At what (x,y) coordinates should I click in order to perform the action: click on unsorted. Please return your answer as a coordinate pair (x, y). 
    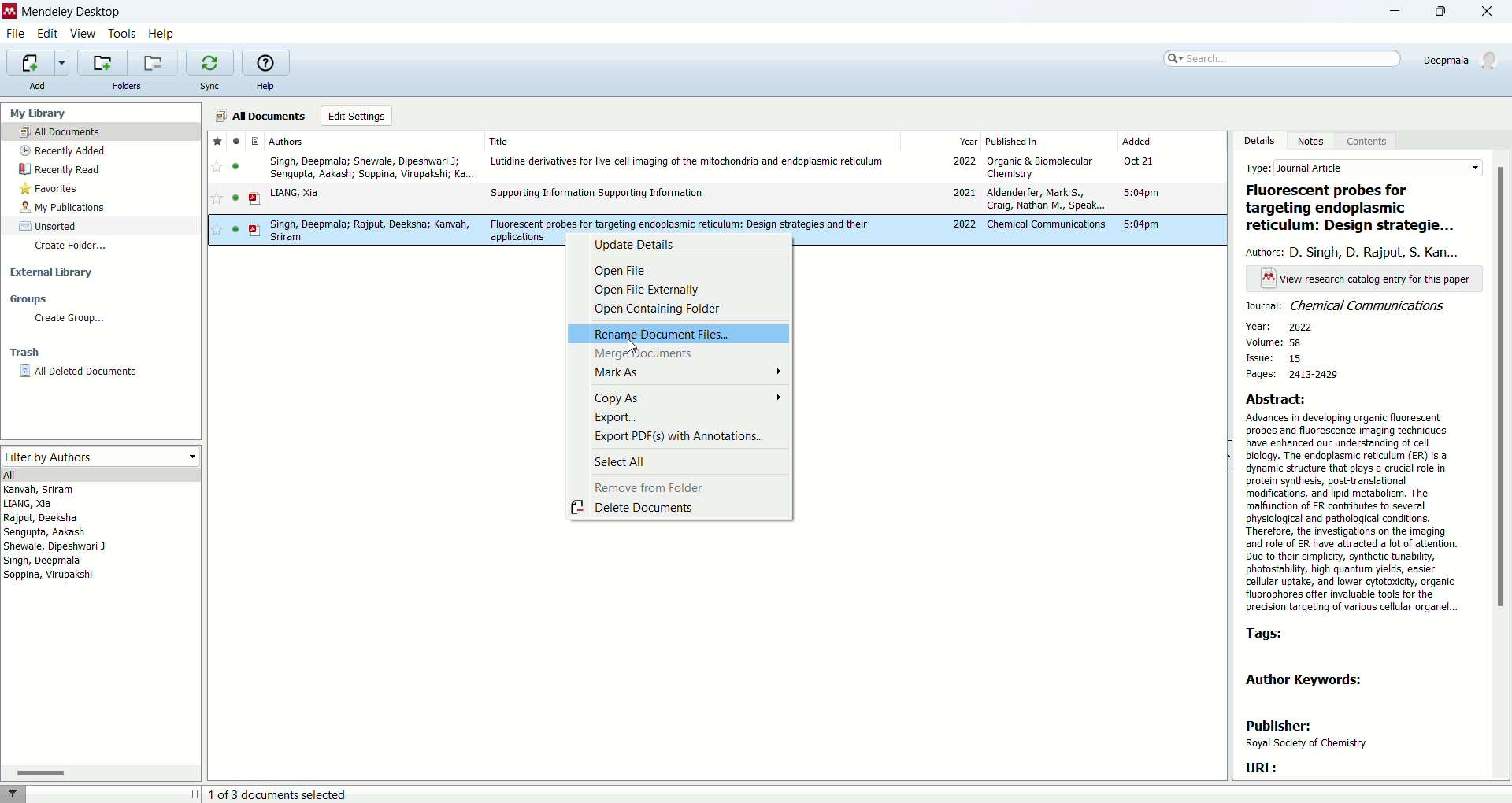
    Looking at the image, I should click on (45, 227).